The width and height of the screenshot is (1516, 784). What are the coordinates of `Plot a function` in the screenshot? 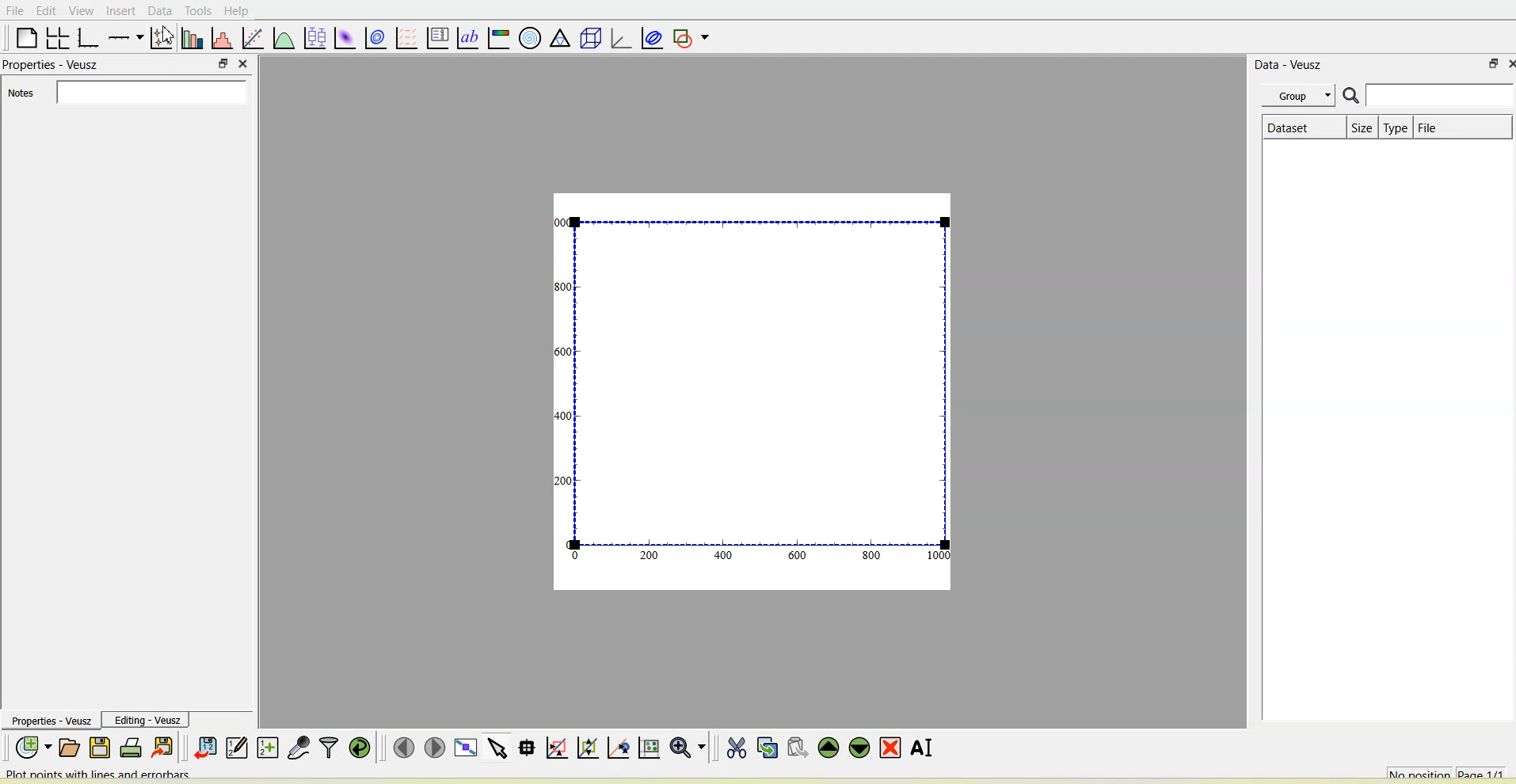 It's located at (284, 38).